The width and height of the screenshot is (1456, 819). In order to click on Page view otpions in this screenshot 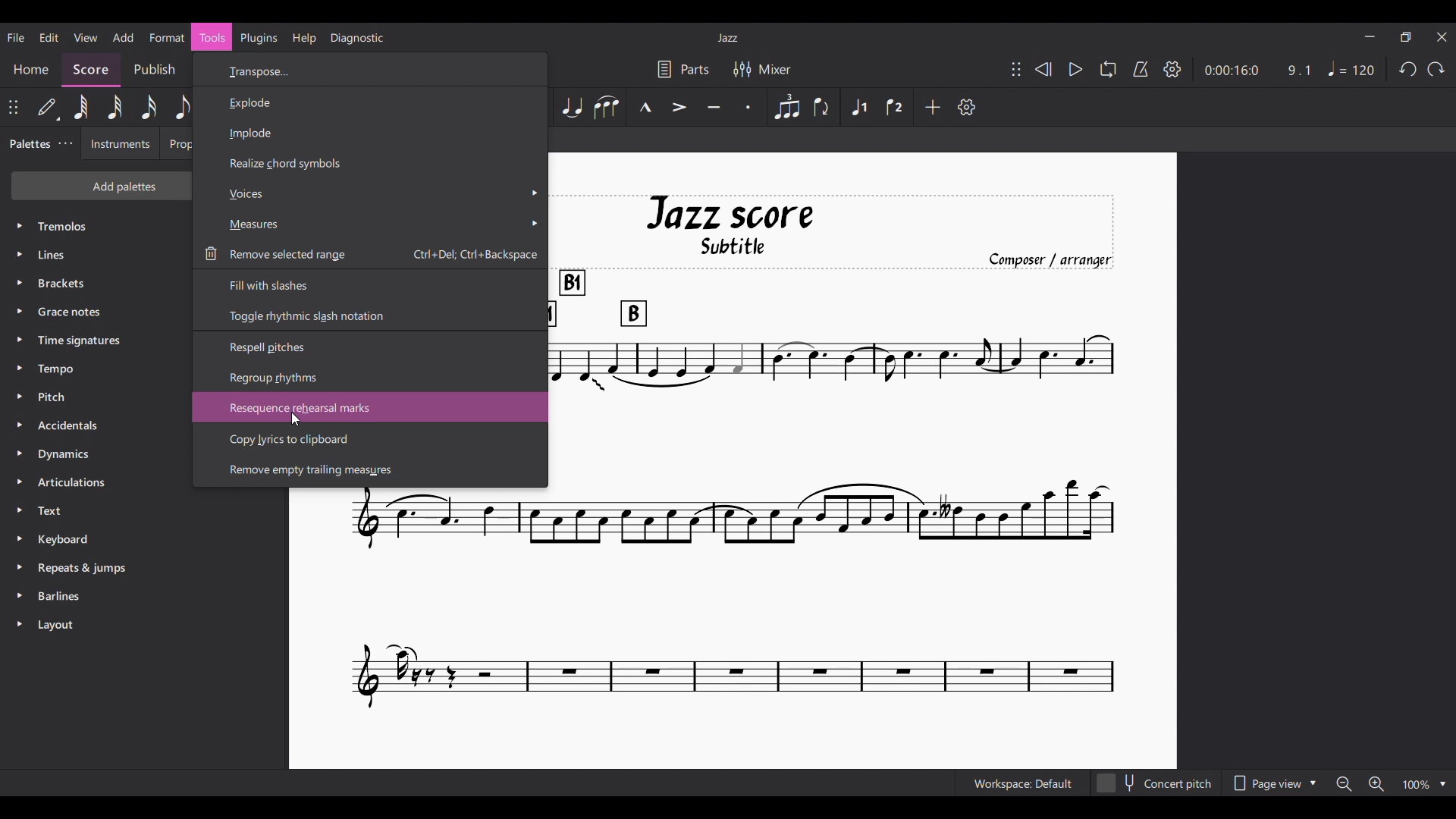, I will do `click(1273, 783)`.